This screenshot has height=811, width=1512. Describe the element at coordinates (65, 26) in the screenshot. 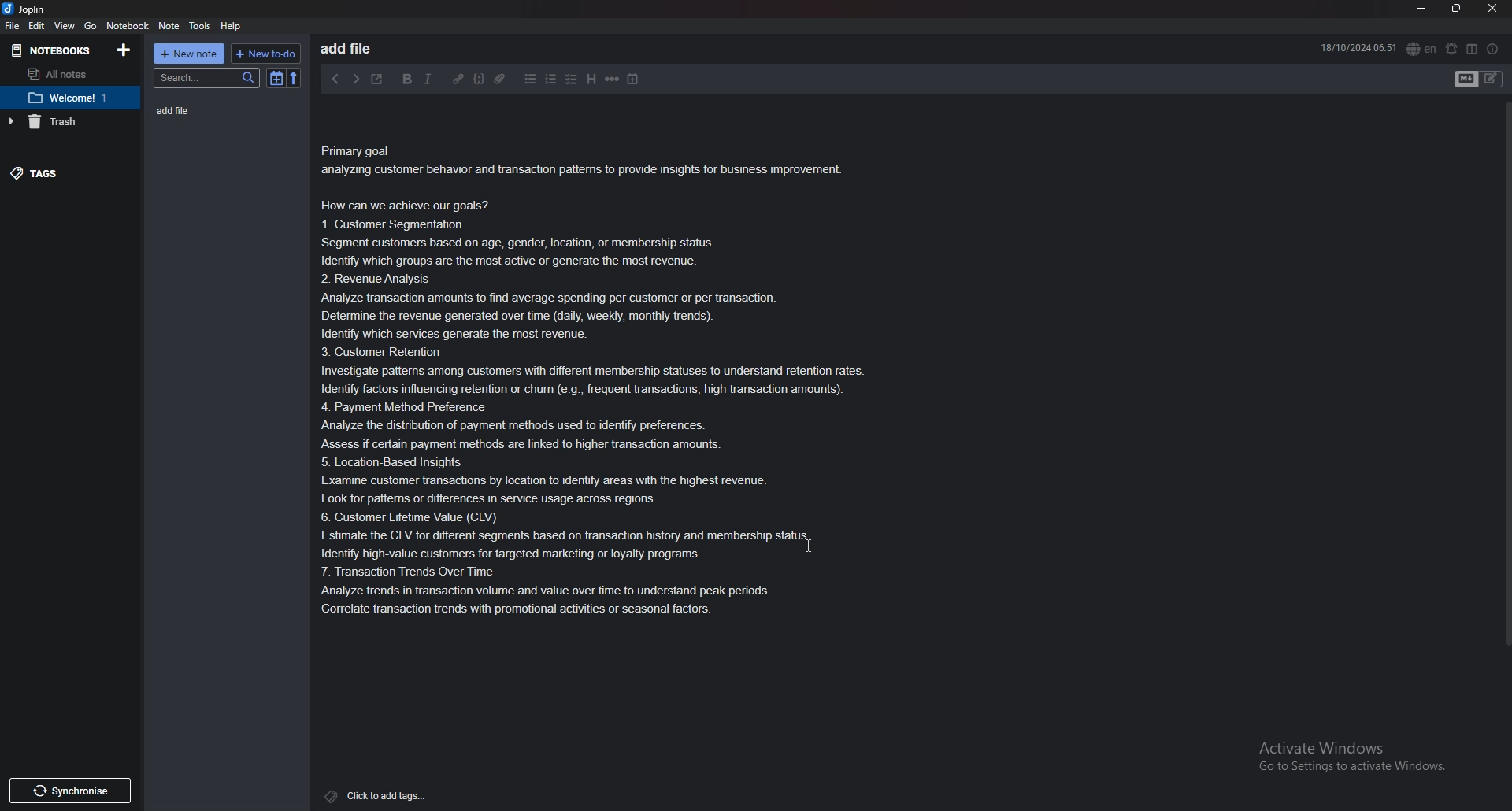

I see `view` at that location.